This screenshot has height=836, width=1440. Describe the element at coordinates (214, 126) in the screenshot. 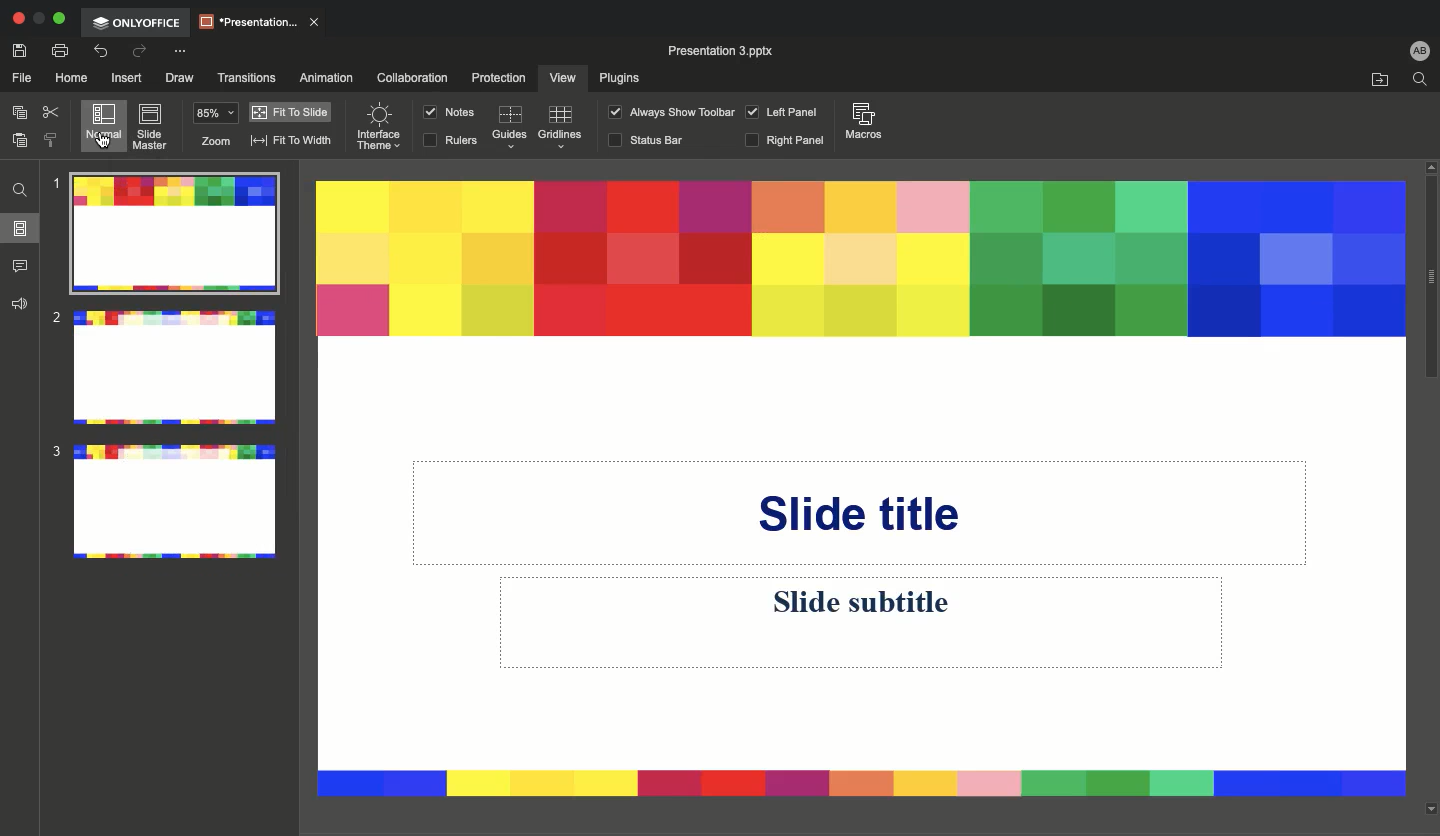

I see `Zoom` at that location.